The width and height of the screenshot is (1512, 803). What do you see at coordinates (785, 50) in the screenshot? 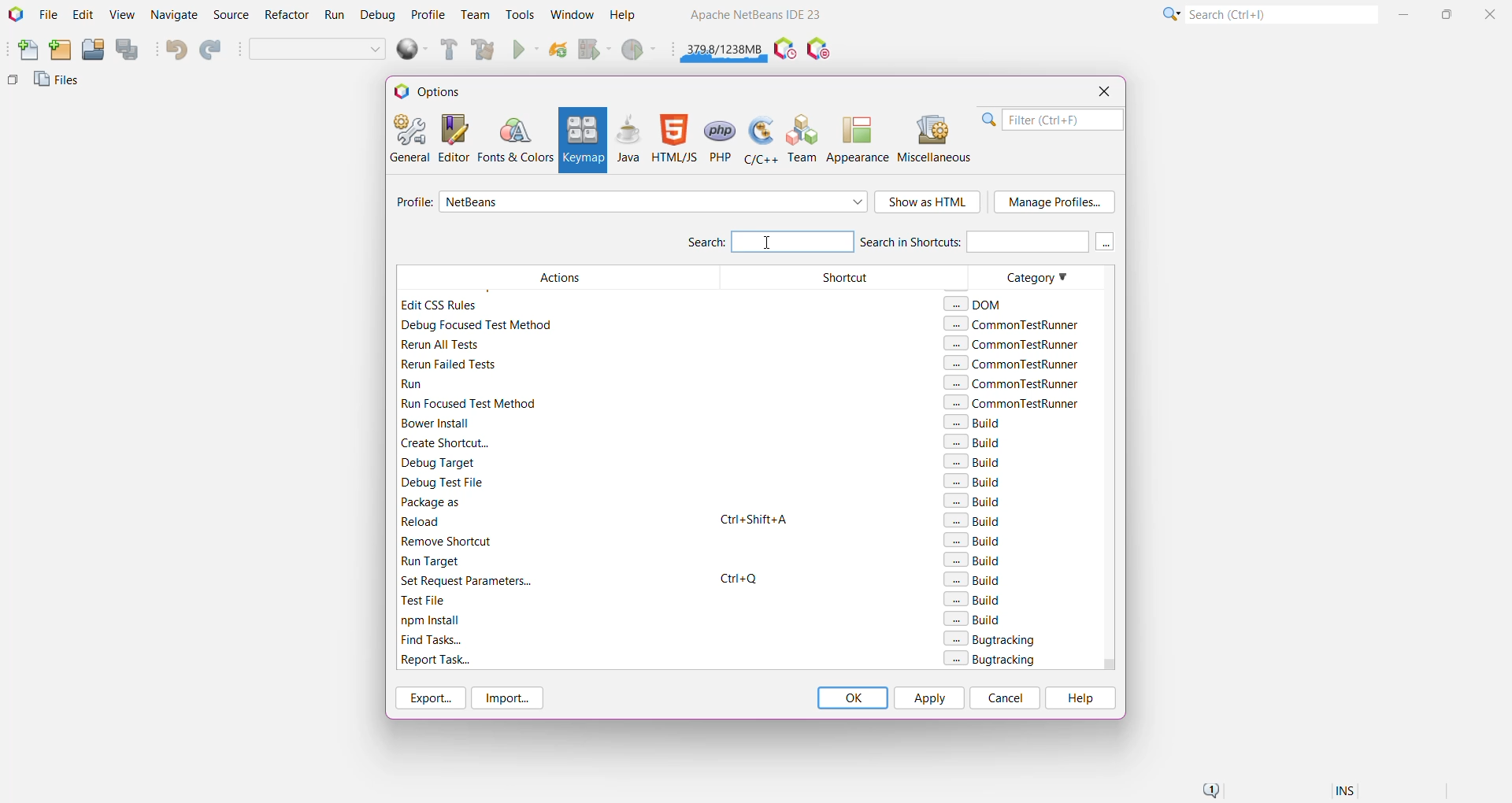
I see `Pause IDE profiling and take a Snapshot` at bounding box center [785, 50].